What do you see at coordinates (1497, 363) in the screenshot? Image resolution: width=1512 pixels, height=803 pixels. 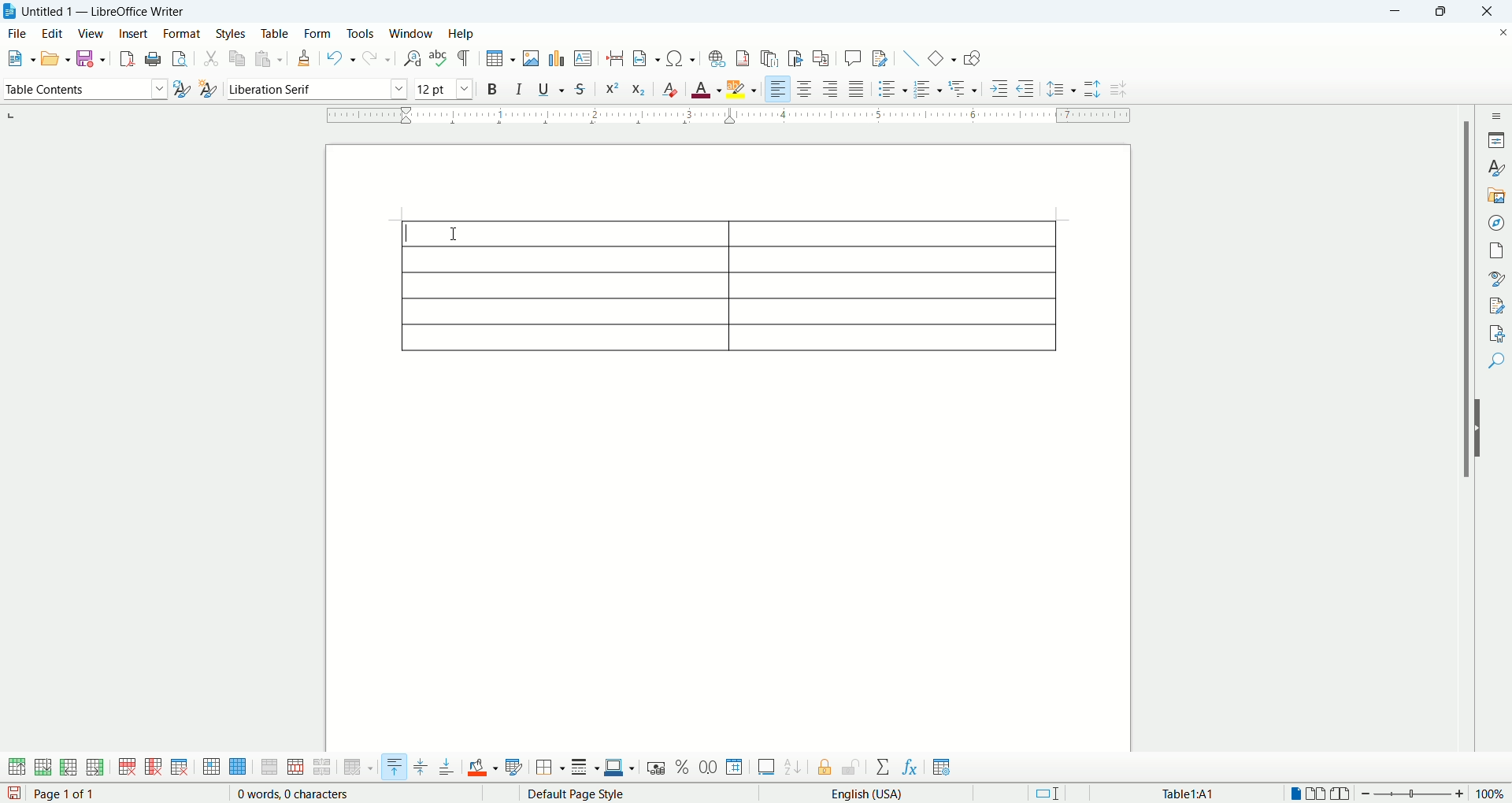 I see `find` at bounding box center [1497, 363].